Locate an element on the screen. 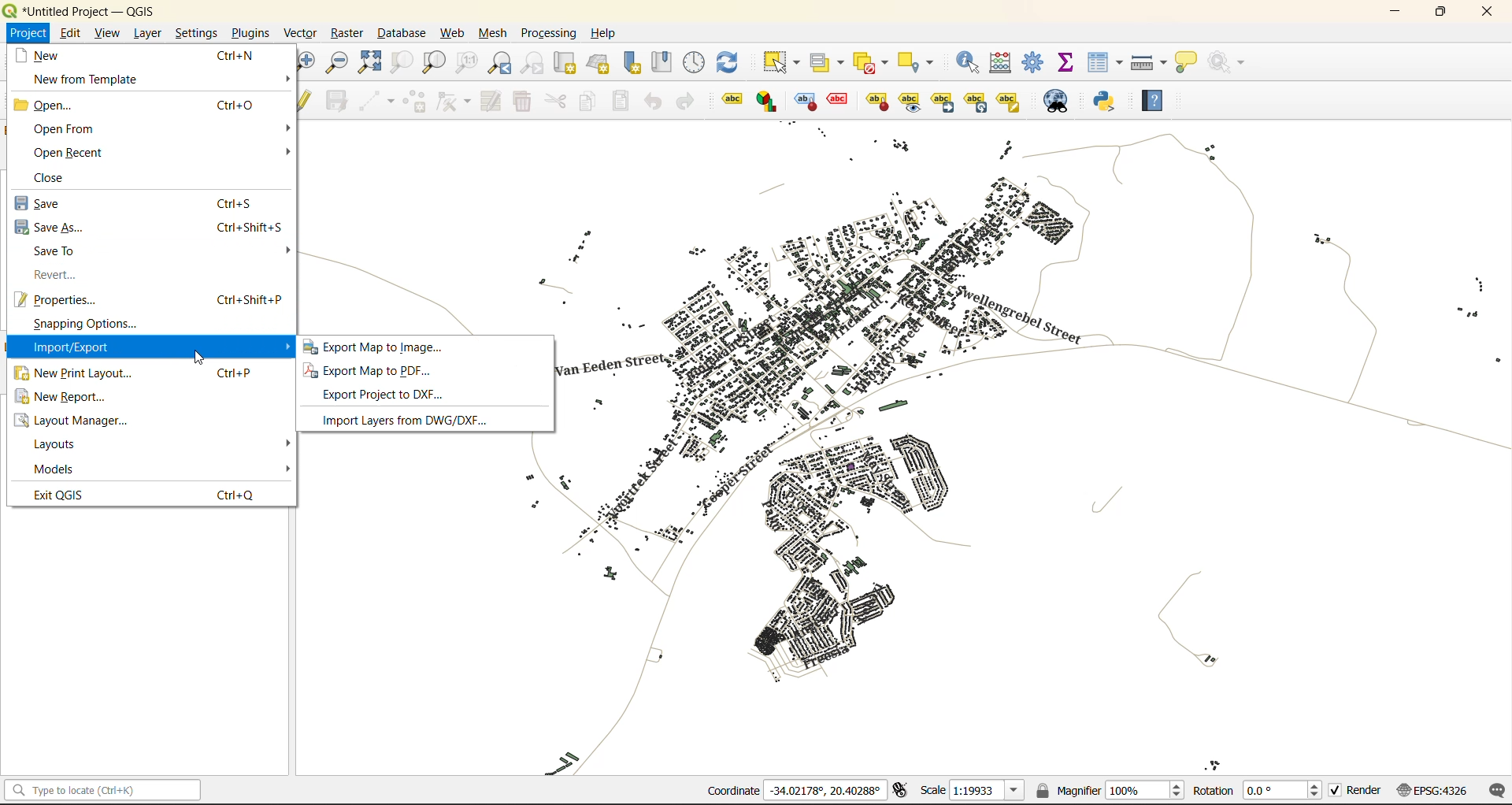 This screenshot has width=1512, height=805. zoom next is located at coordinates (533, 62).